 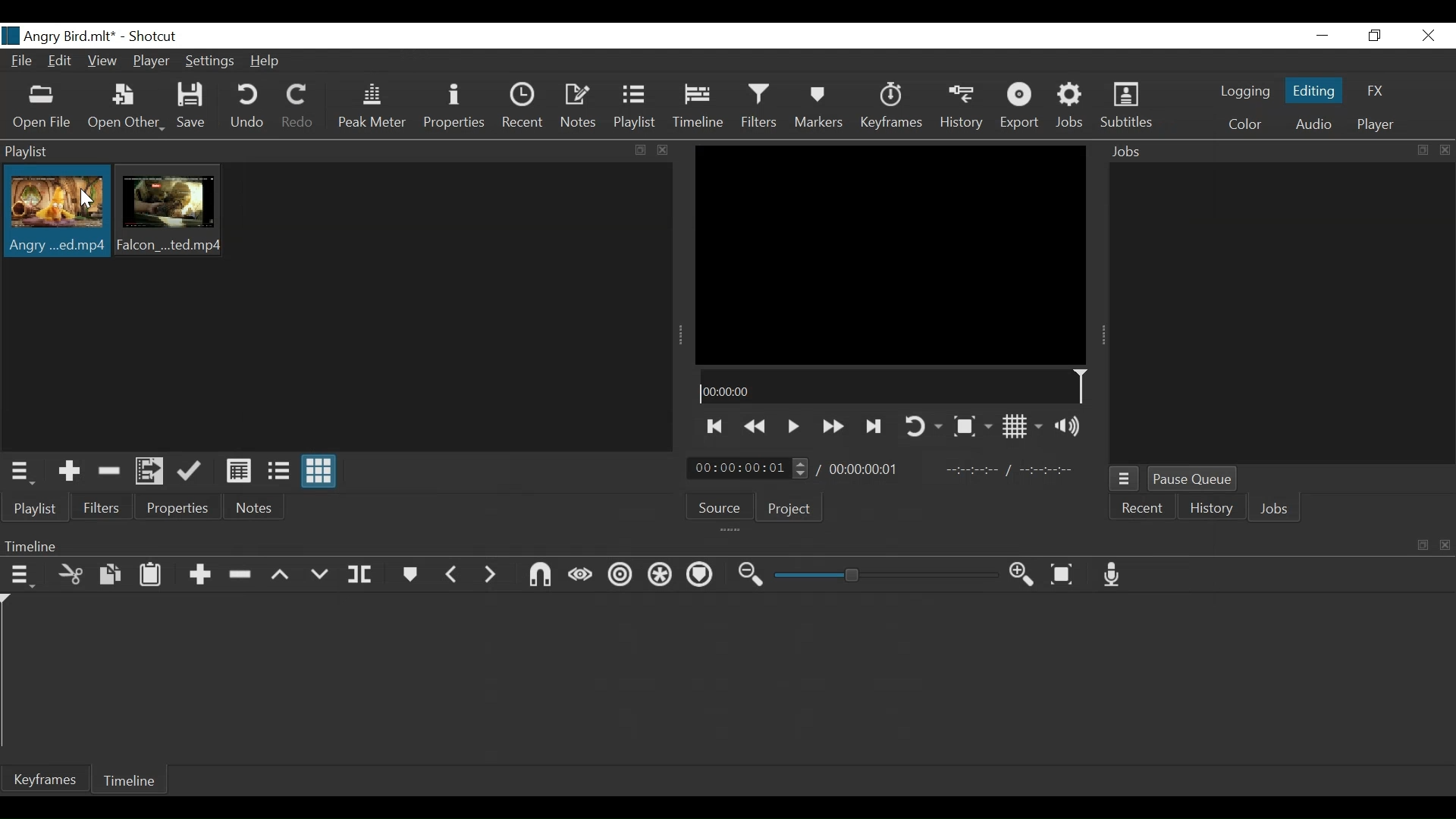 I want to click on Help, so click(x=267, y=63).